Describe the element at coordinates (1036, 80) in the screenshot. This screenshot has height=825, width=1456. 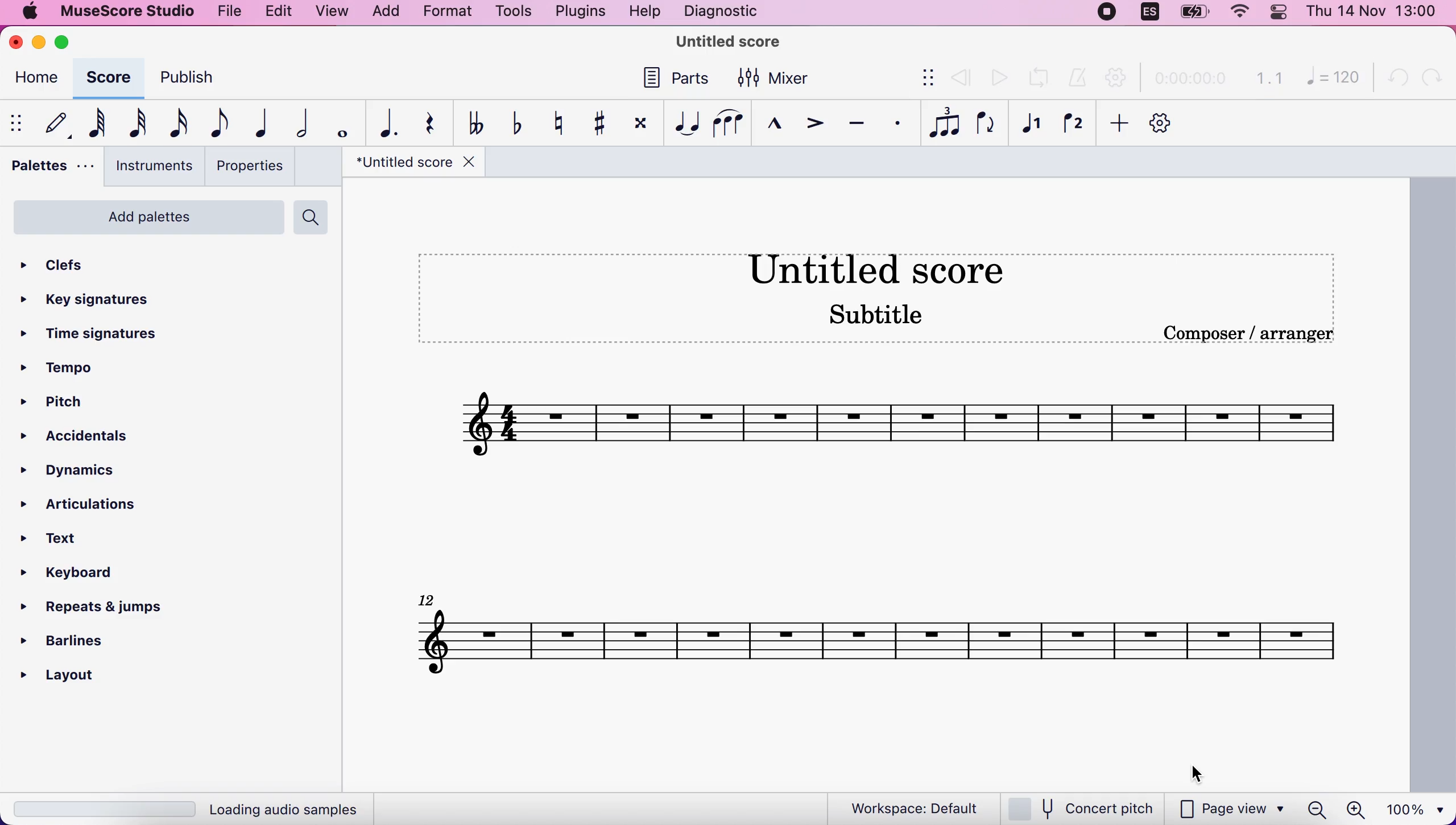
I see `playback loop` at that location.